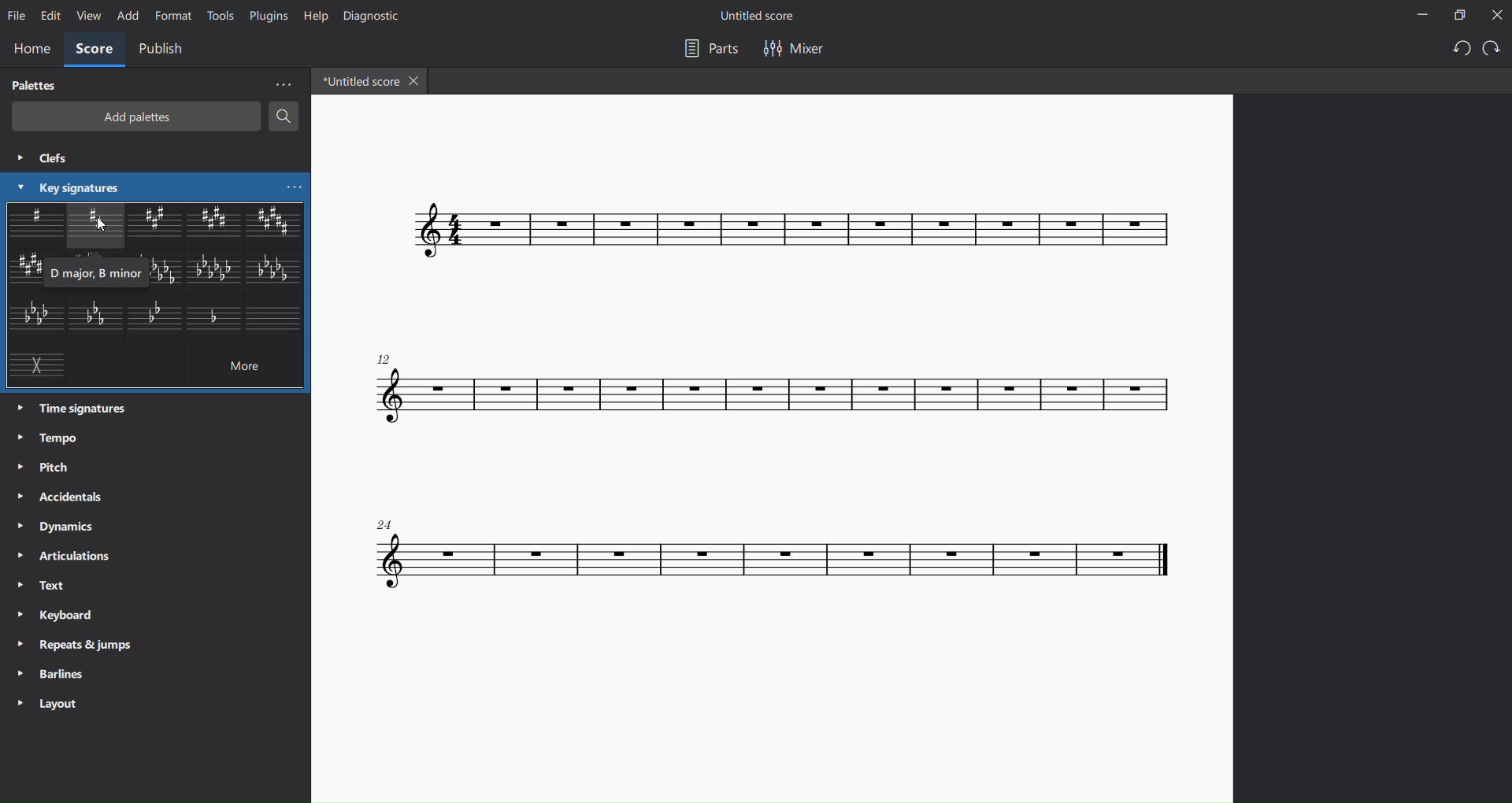  What do you see at coordinates (1491, 48) in the screenshot?
I see `redo` at bounding box center [1491, 48].